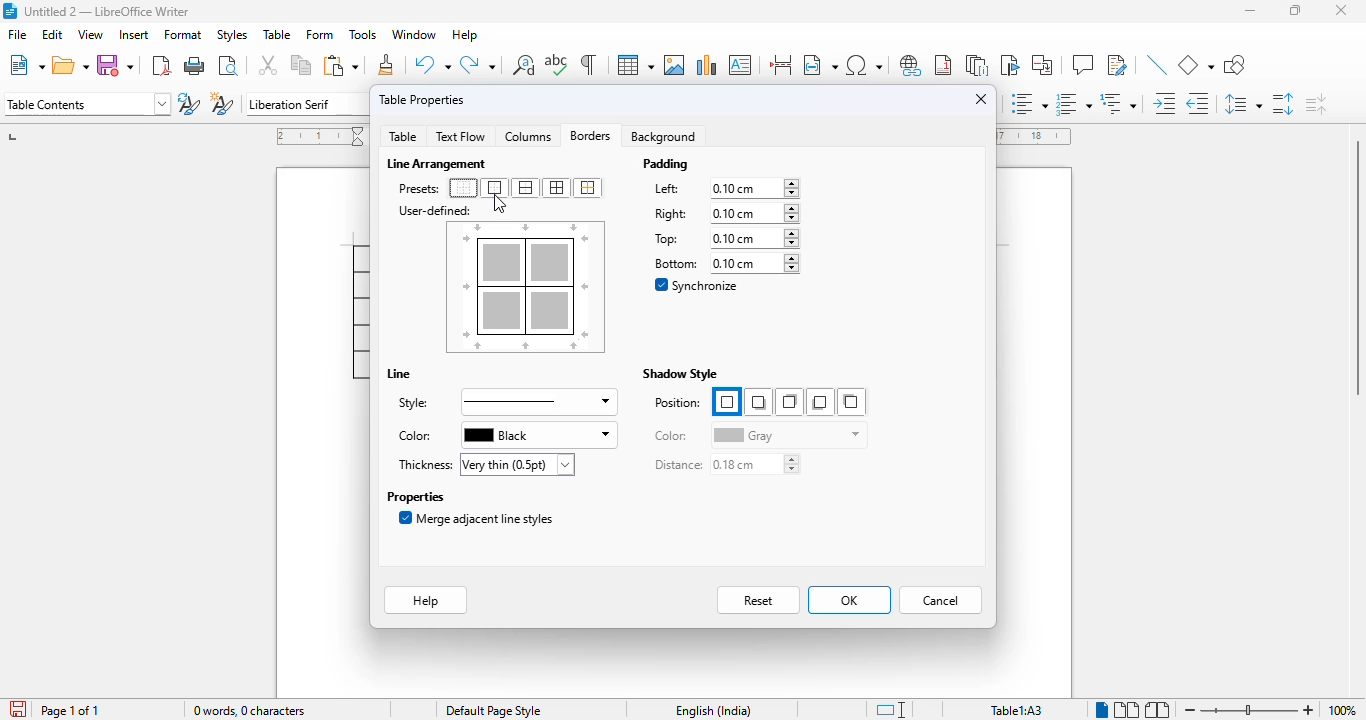 The height and width of the screenshot is (720, 1366). What do you see at coordinates (1017, 710) in the screenshot?
I see `table1:A3` at bounding box center [1017, 710].